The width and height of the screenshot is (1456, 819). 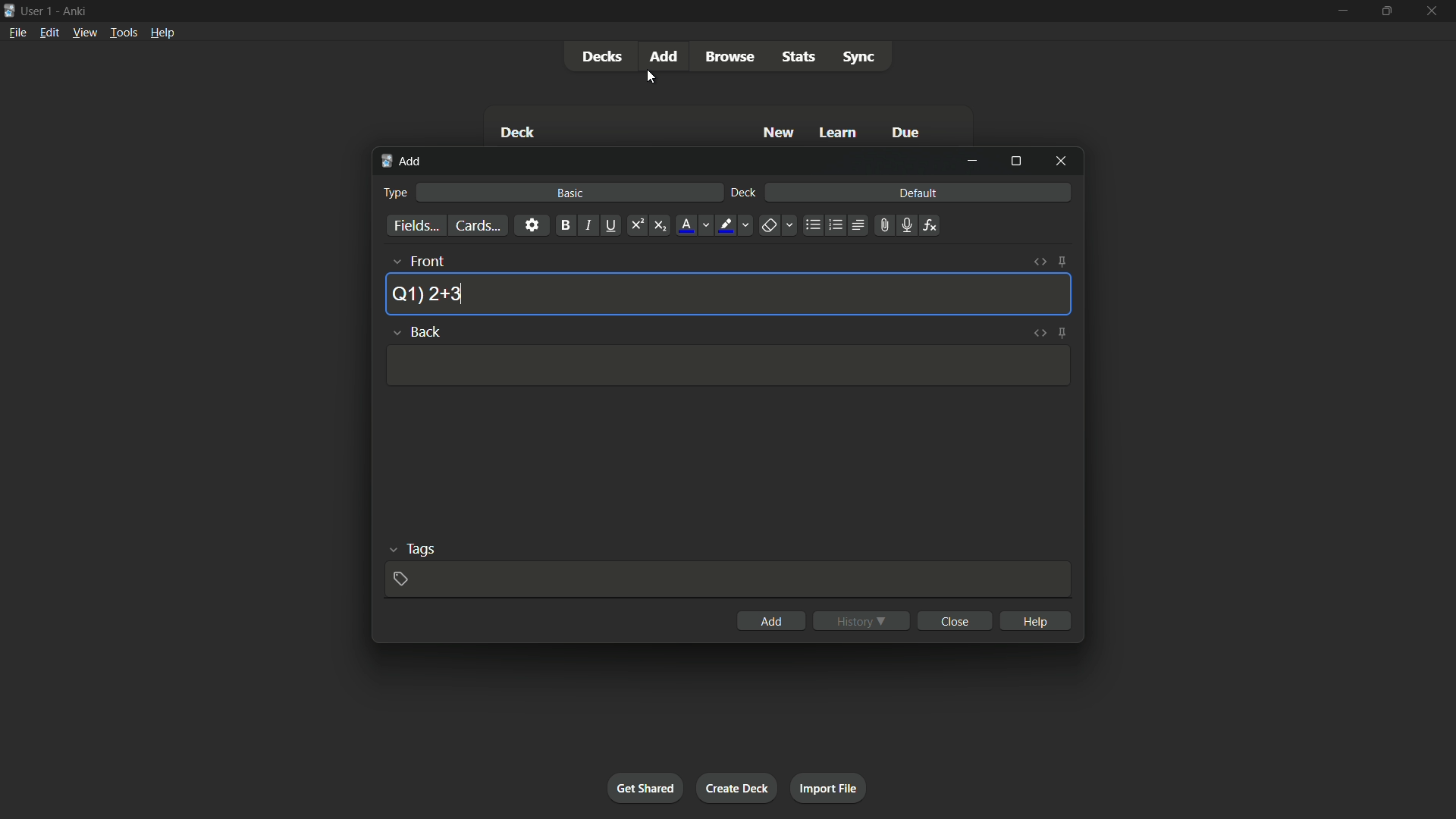 What do you see at coordinates (861, 621) in the screenshot?
I see `history` at bounding box center [861, 621].